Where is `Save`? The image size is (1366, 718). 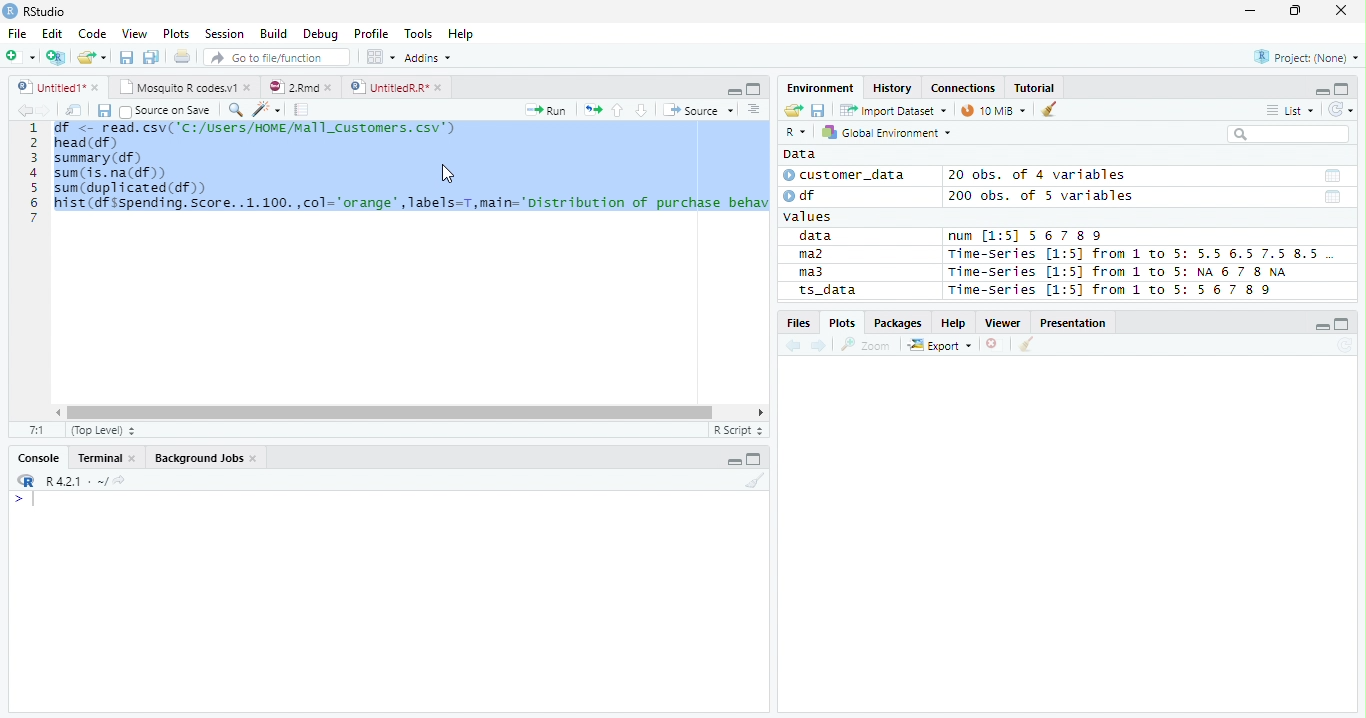 Save is located at coordinates (103, 110).